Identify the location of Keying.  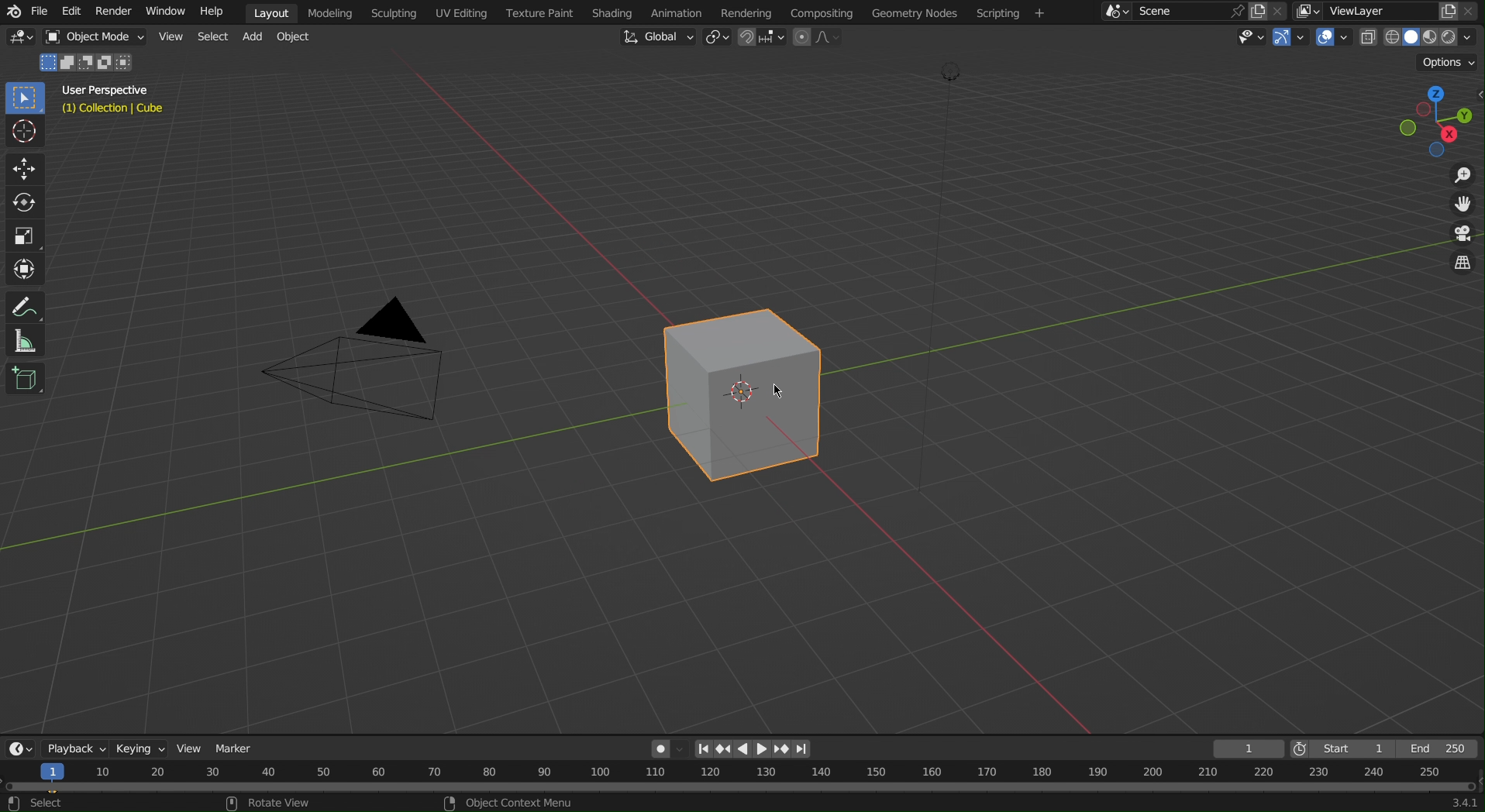
(141, 751).